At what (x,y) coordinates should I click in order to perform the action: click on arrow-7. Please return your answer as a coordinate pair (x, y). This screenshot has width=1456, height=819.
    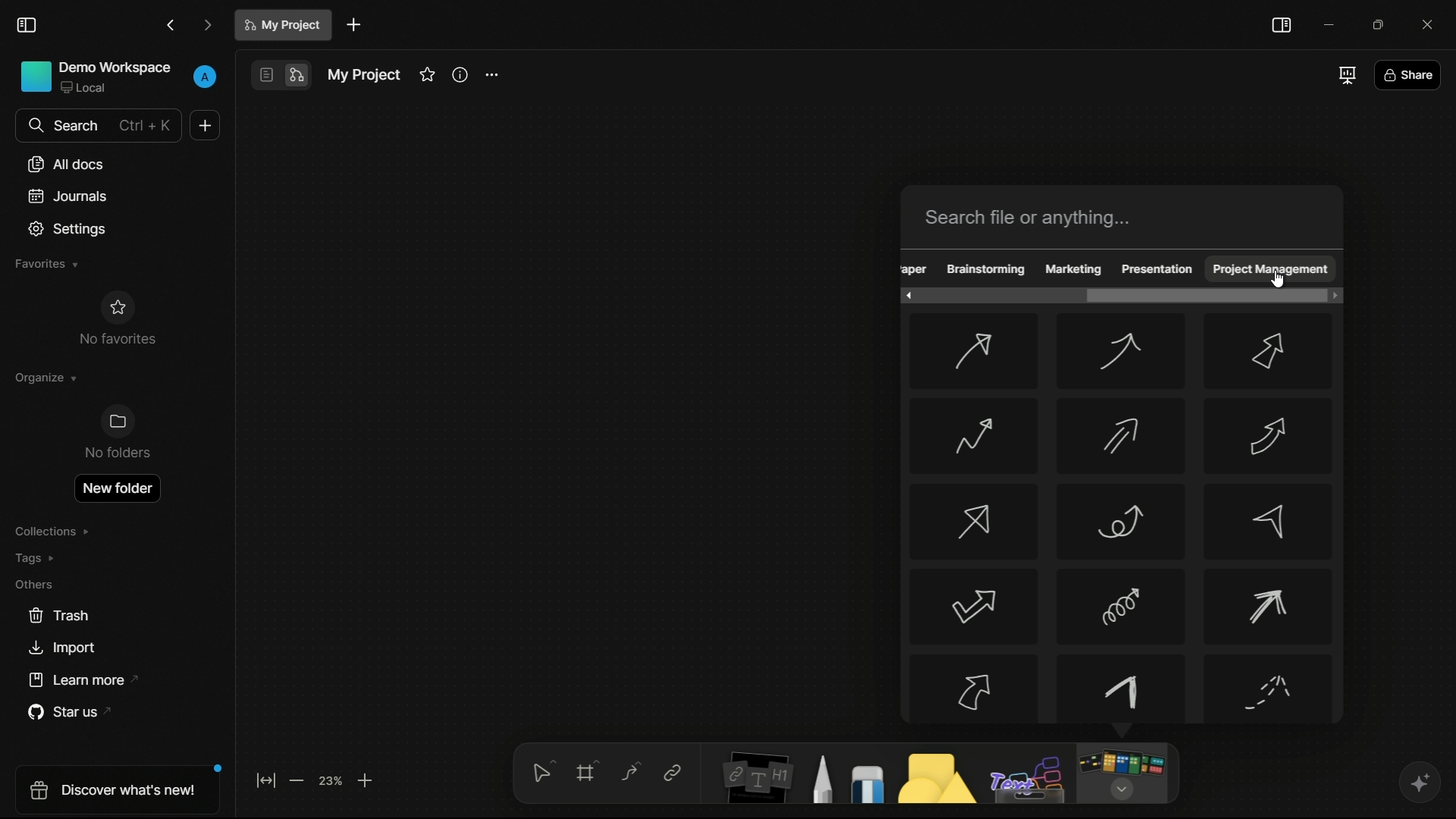
    Looking at the image, I should click on (974, 521).